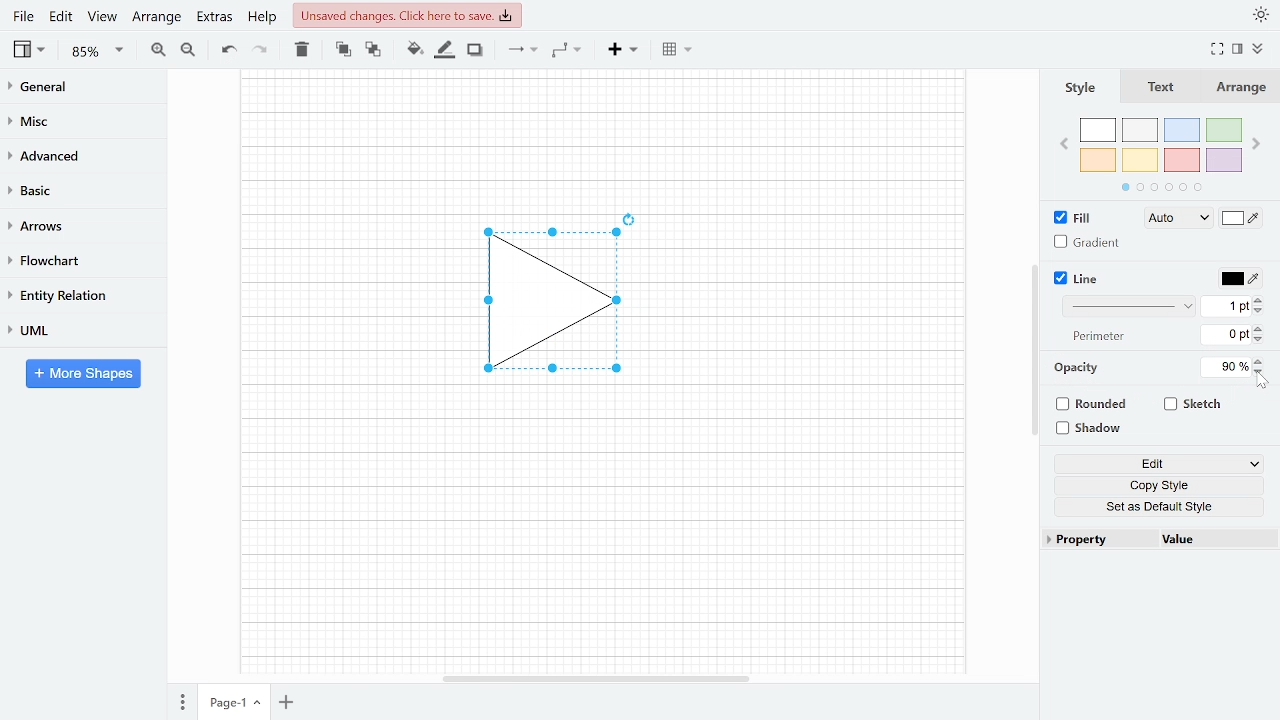 The image size is (1280, 720). Describe the element at coordinates (602, 135) in the screenshot. I see `workspace` at that location.